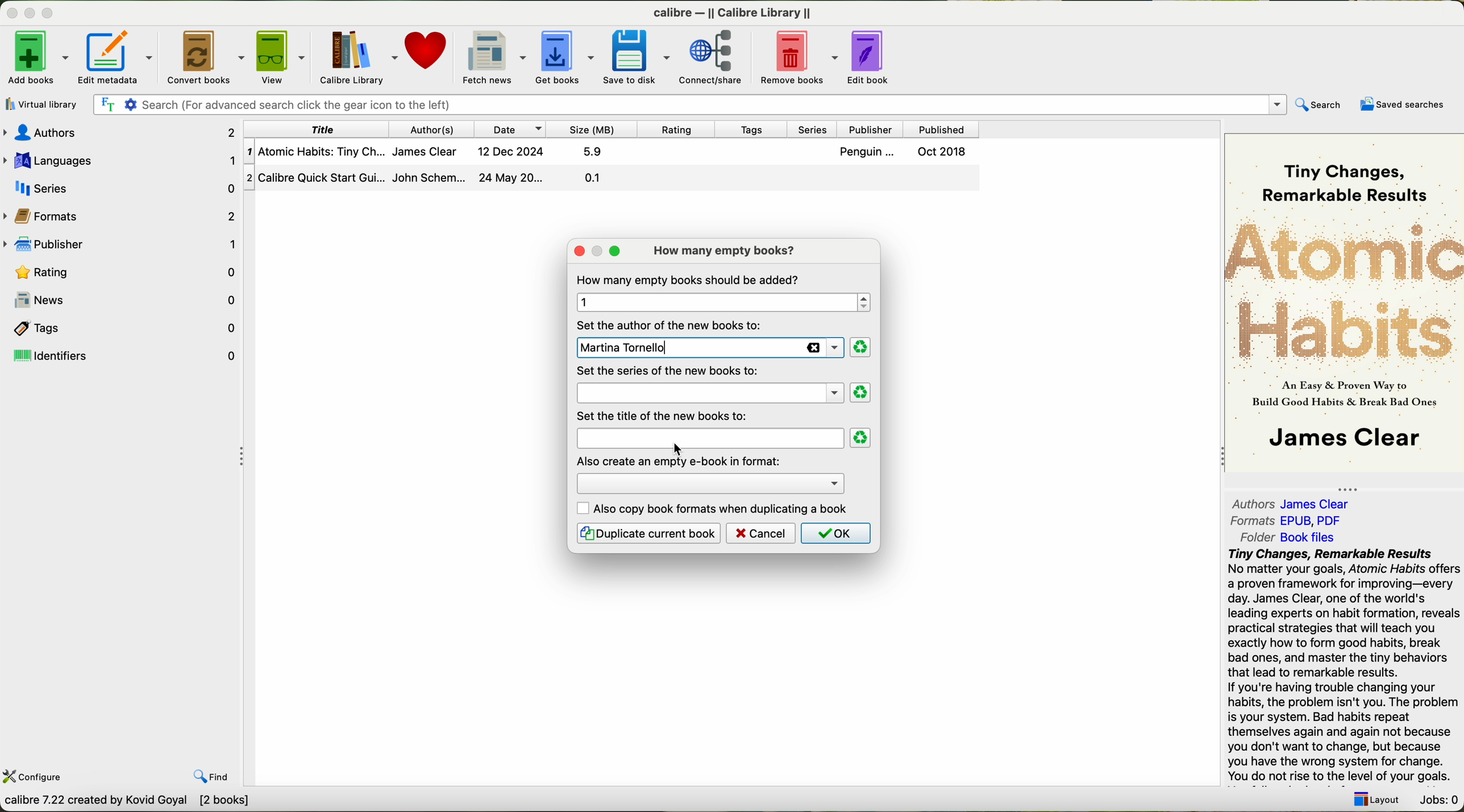 This screenshot has height=812, width=1464. I want to click on formats, so click(123, 215).